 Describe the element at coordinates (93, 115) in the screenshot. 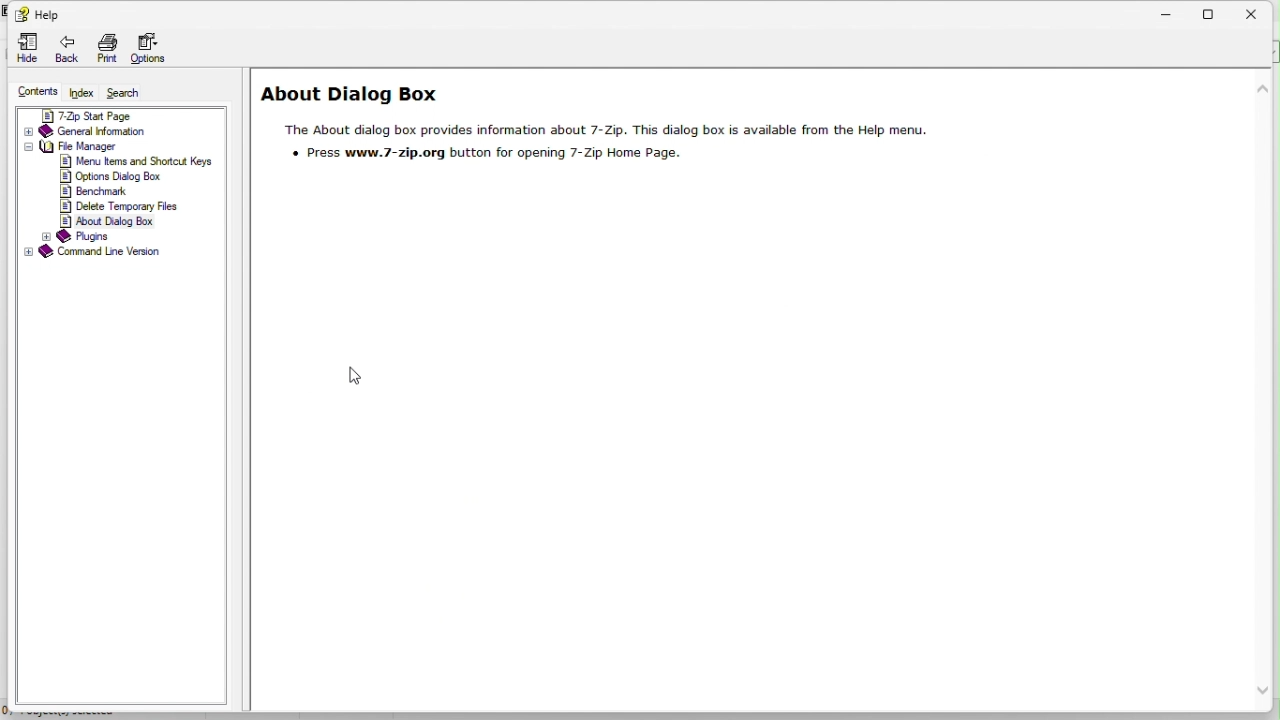

I see `§ SE —
Bama` at that location.